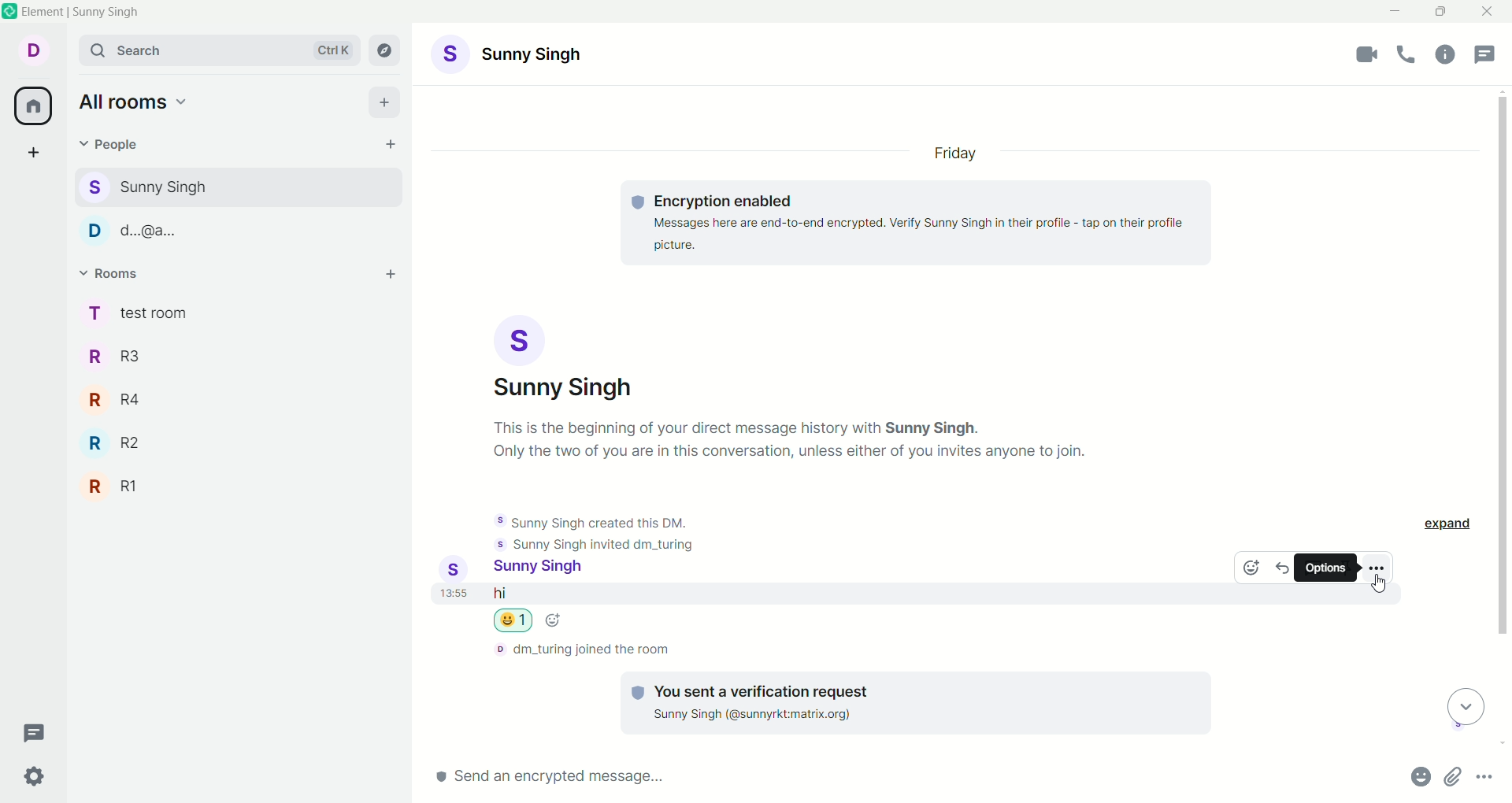 This screenshot has width=1512, height=803. I want to click on threads, so click(1492, 54).